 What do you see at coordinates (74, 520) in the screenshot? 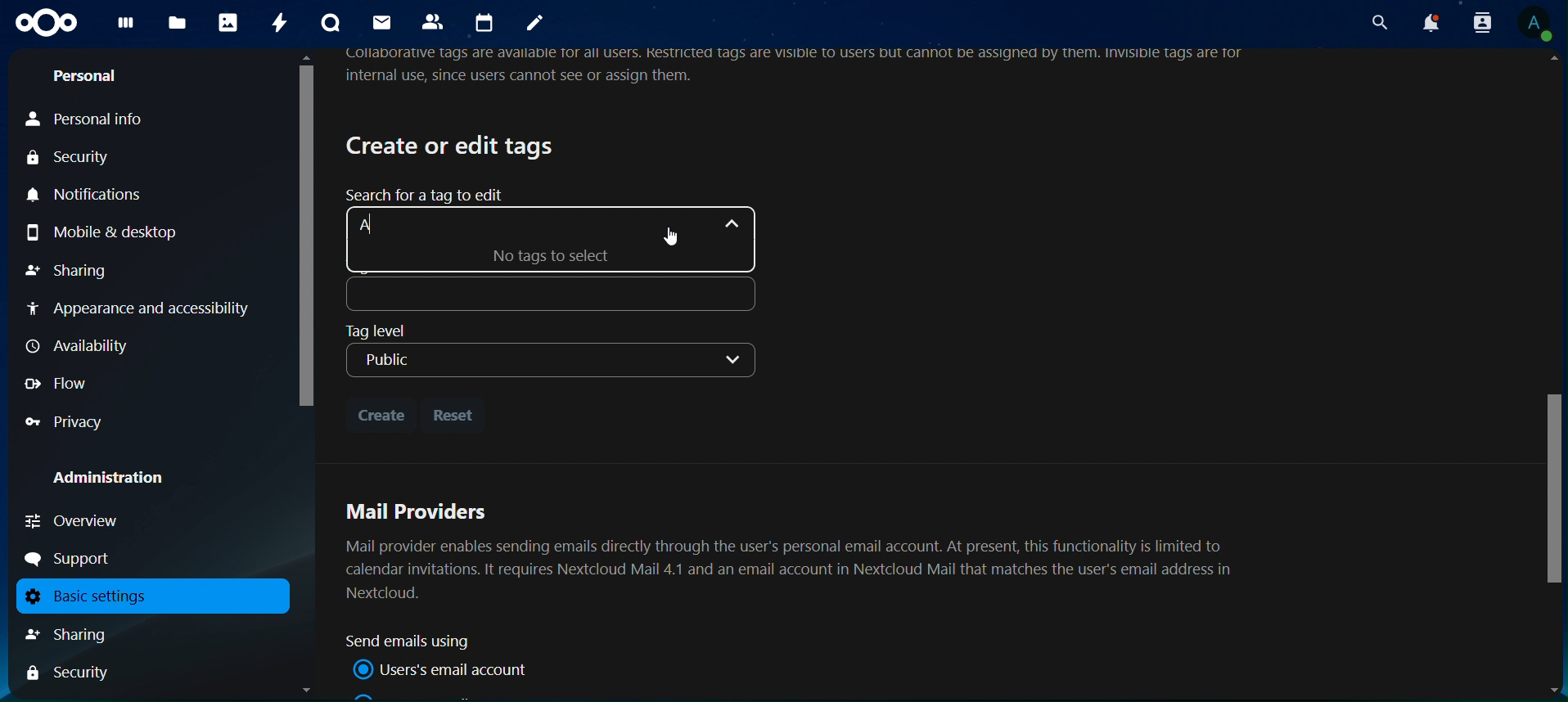
I see `overview` at bounding box center [74, 520].